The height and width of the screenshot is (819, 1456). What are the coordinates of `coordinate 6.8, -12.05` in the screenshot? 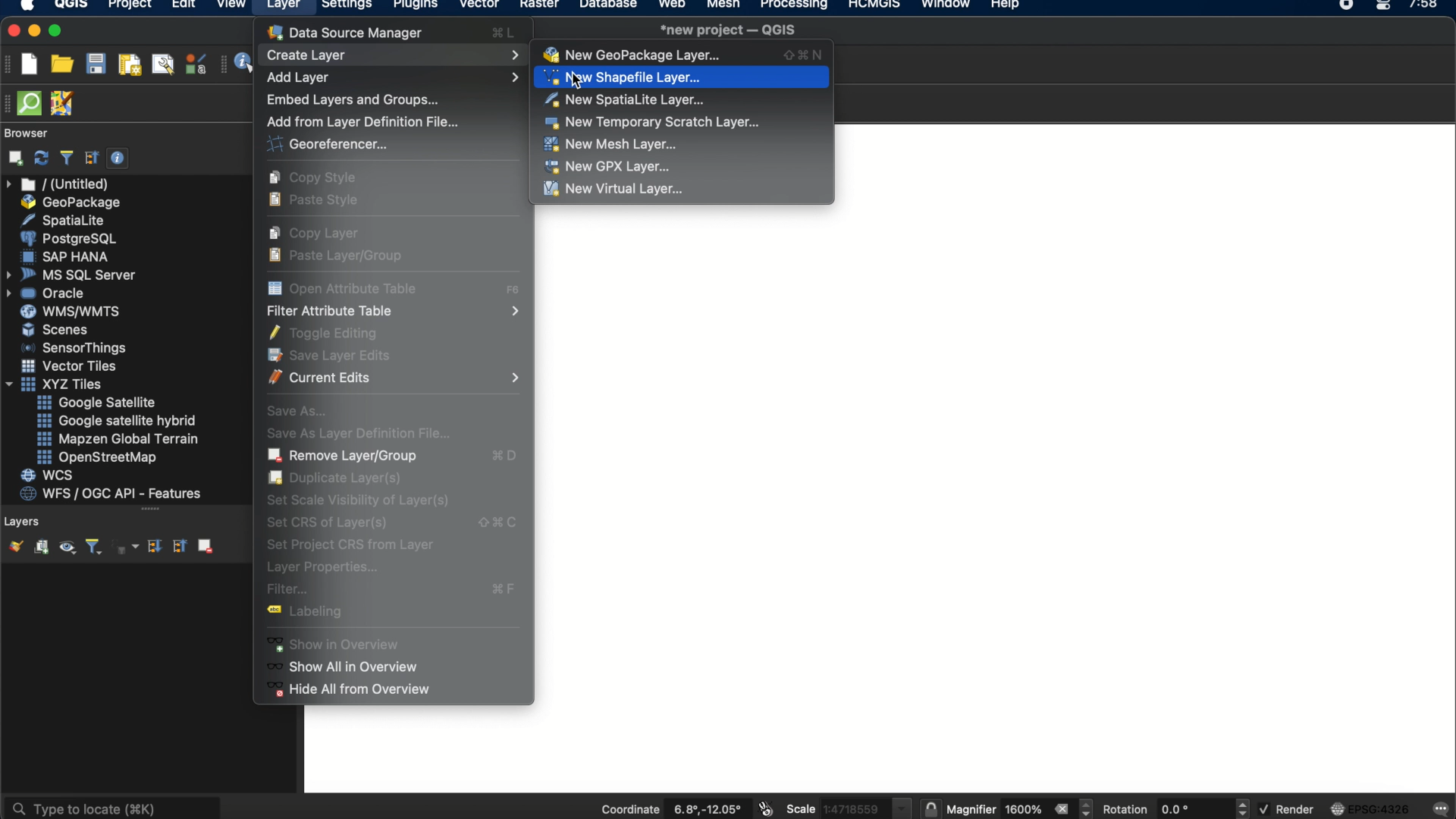 It's located at (670, 808).